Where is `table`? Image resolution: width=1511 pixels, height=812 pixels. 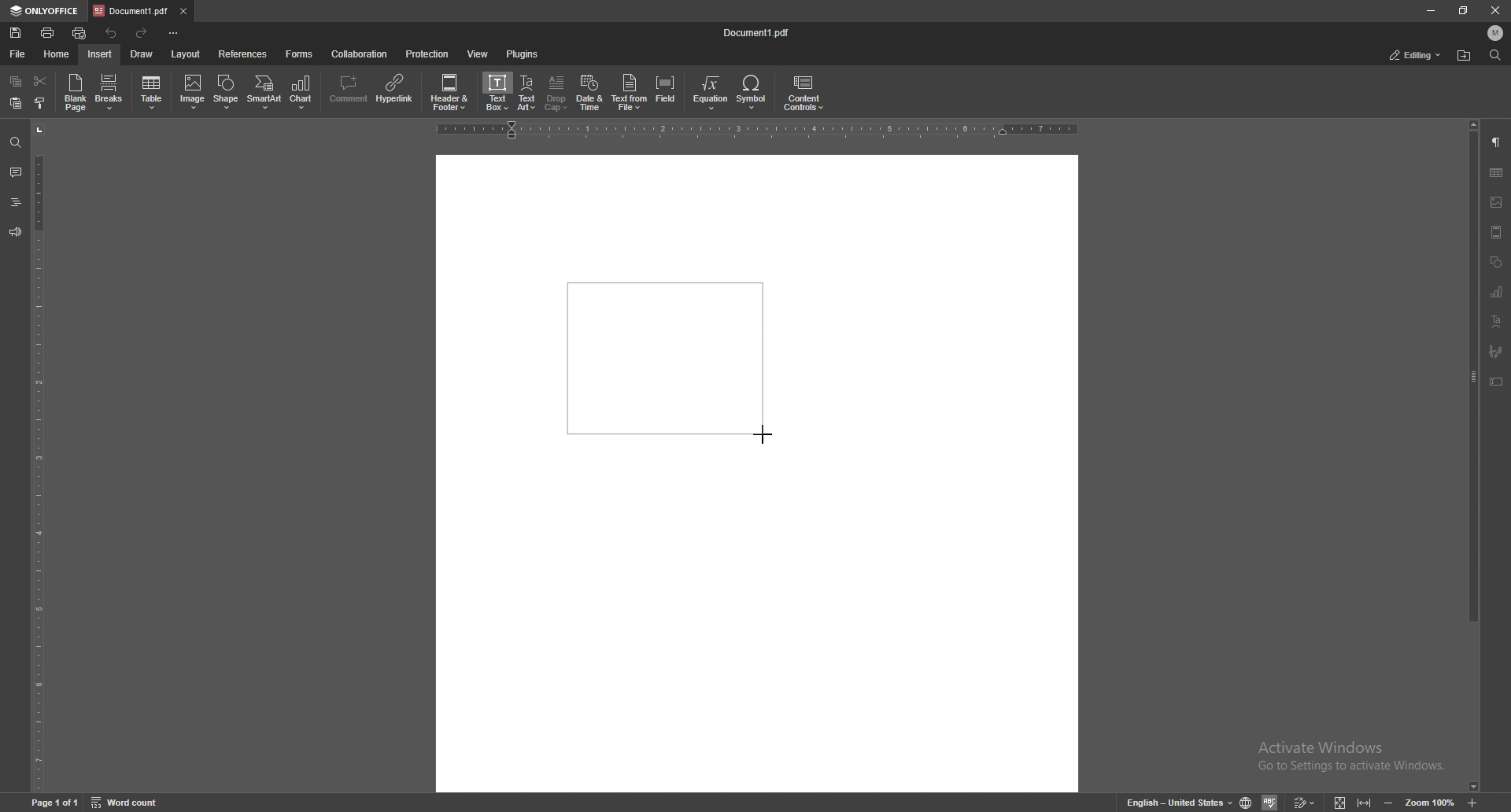
table is located at coordinates (153, 93).